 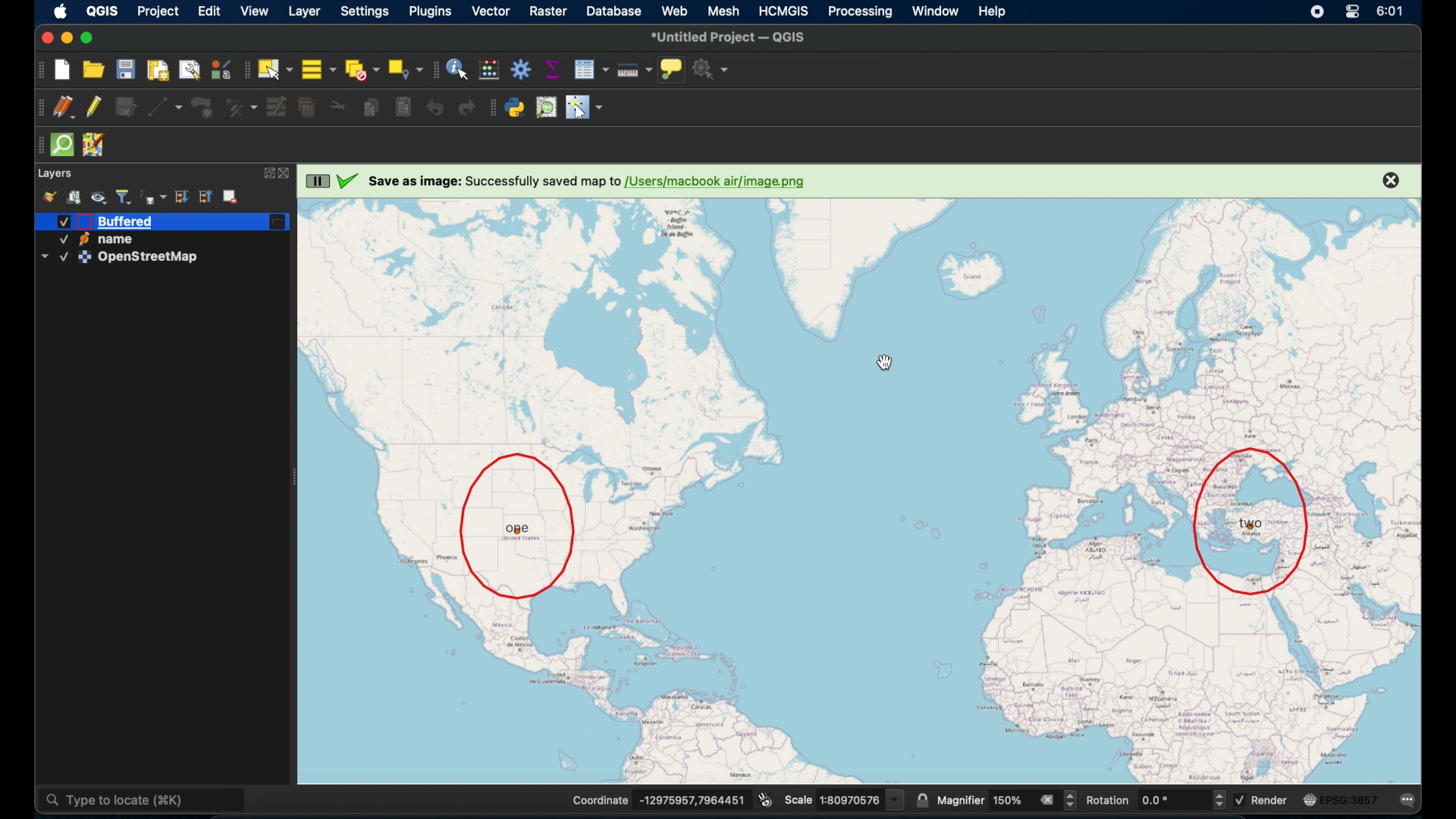 I want to click on expand all, so click(x=181, y=196).